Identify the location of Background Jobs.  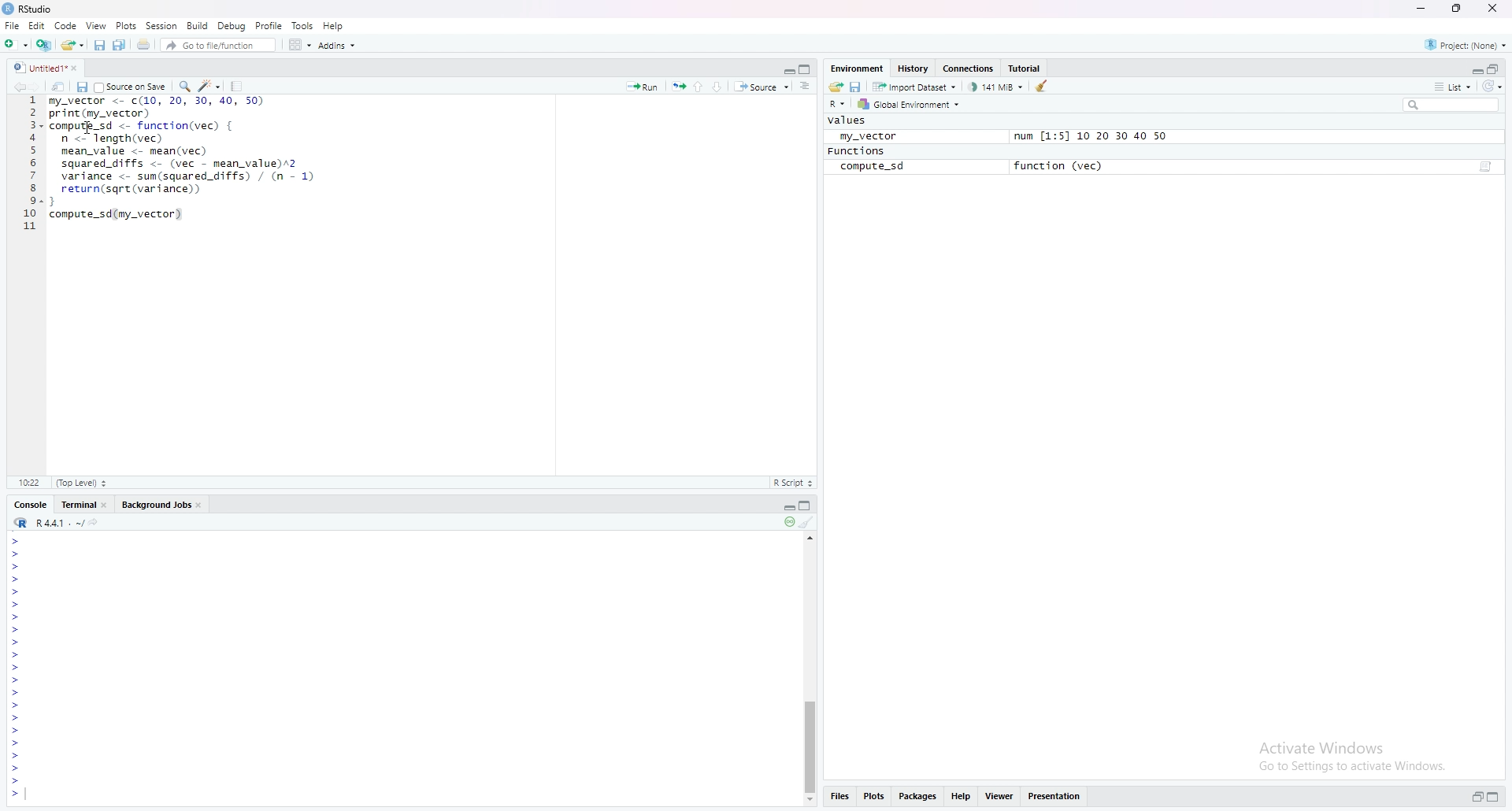
(161, 504).